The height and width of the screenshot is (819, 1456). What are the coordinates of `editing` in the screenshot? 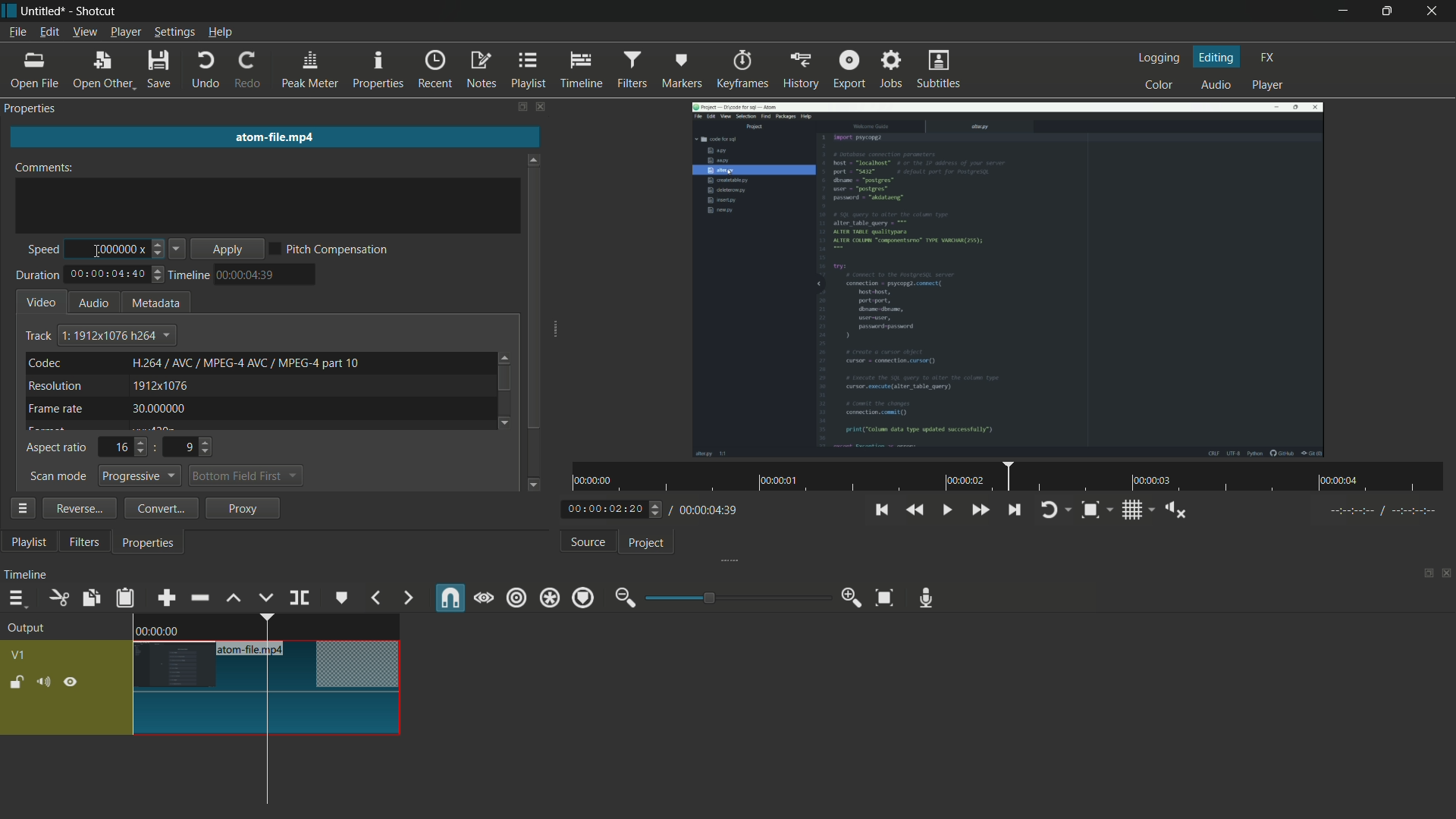 It's located at (1218, 58).